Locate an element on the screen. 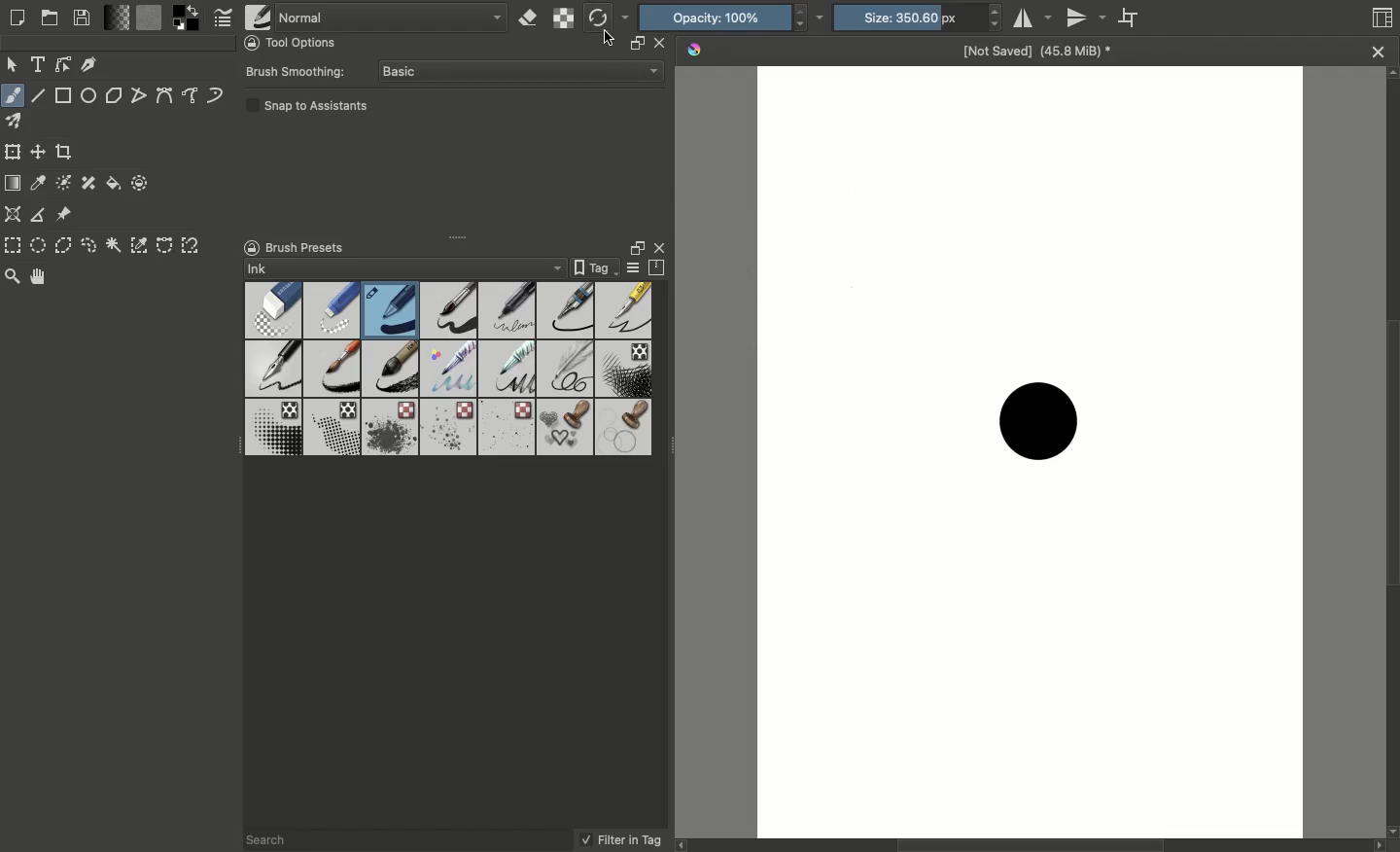 This screenshot has height=852, width=1400. close is located at coordinates (1379, 53).